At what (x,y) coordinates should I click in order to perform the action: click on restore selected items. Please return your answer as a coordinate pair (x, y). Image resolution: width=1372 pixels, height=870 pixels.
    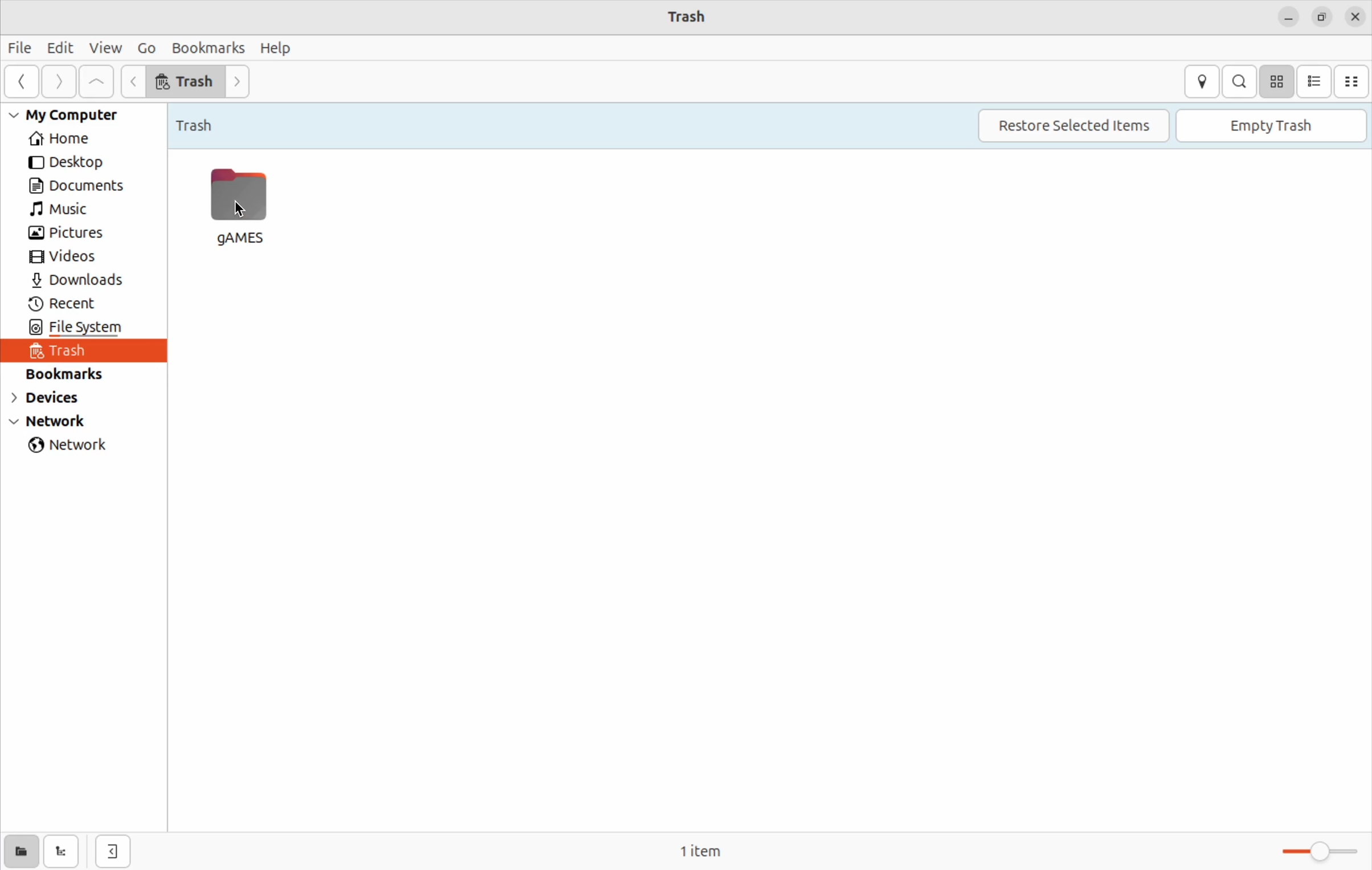
    Looking at the image, I should click on (1072, 126).